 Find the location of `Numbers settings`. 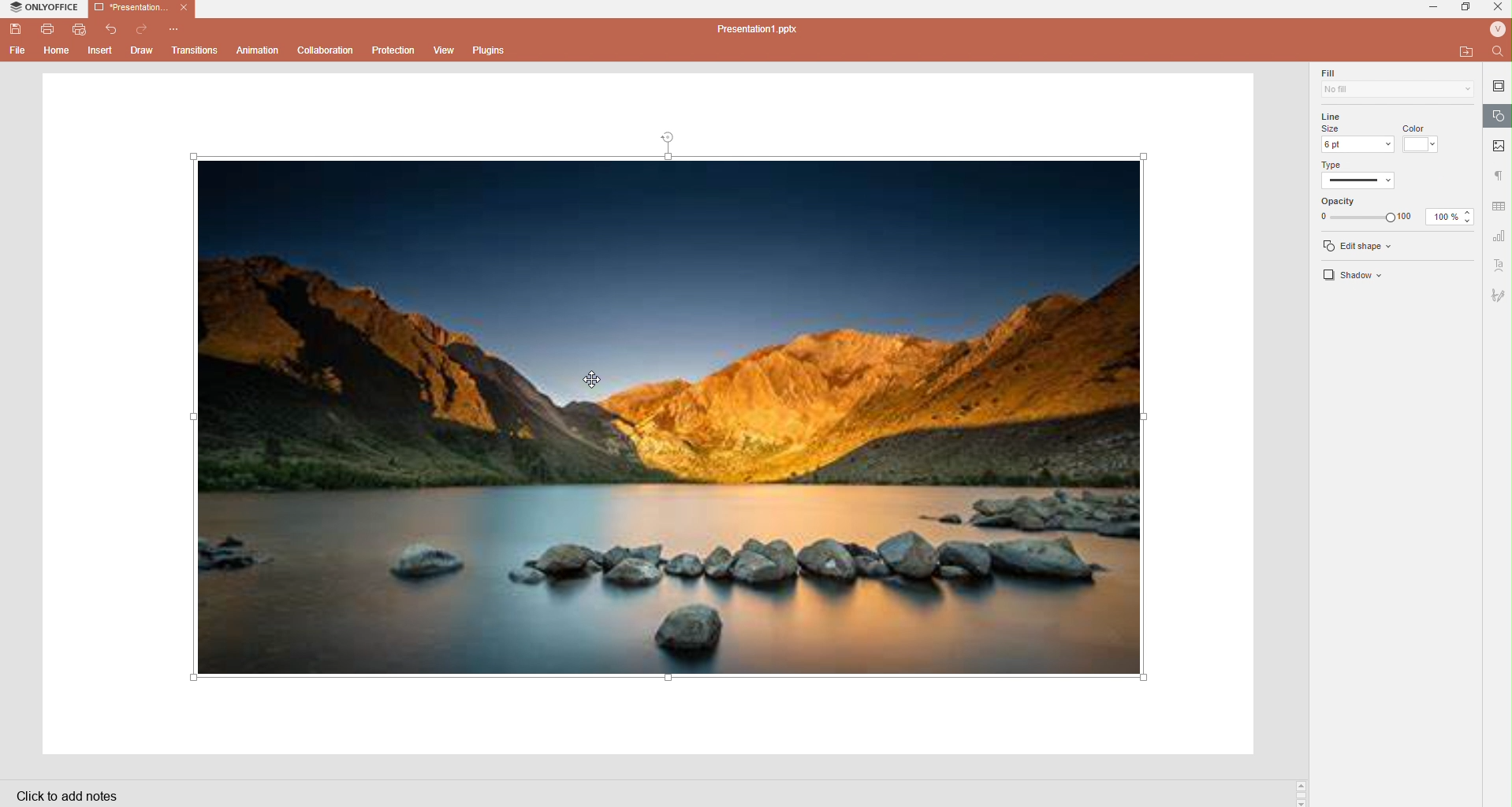

Numbers settings is located at coordinates (1499, 235).